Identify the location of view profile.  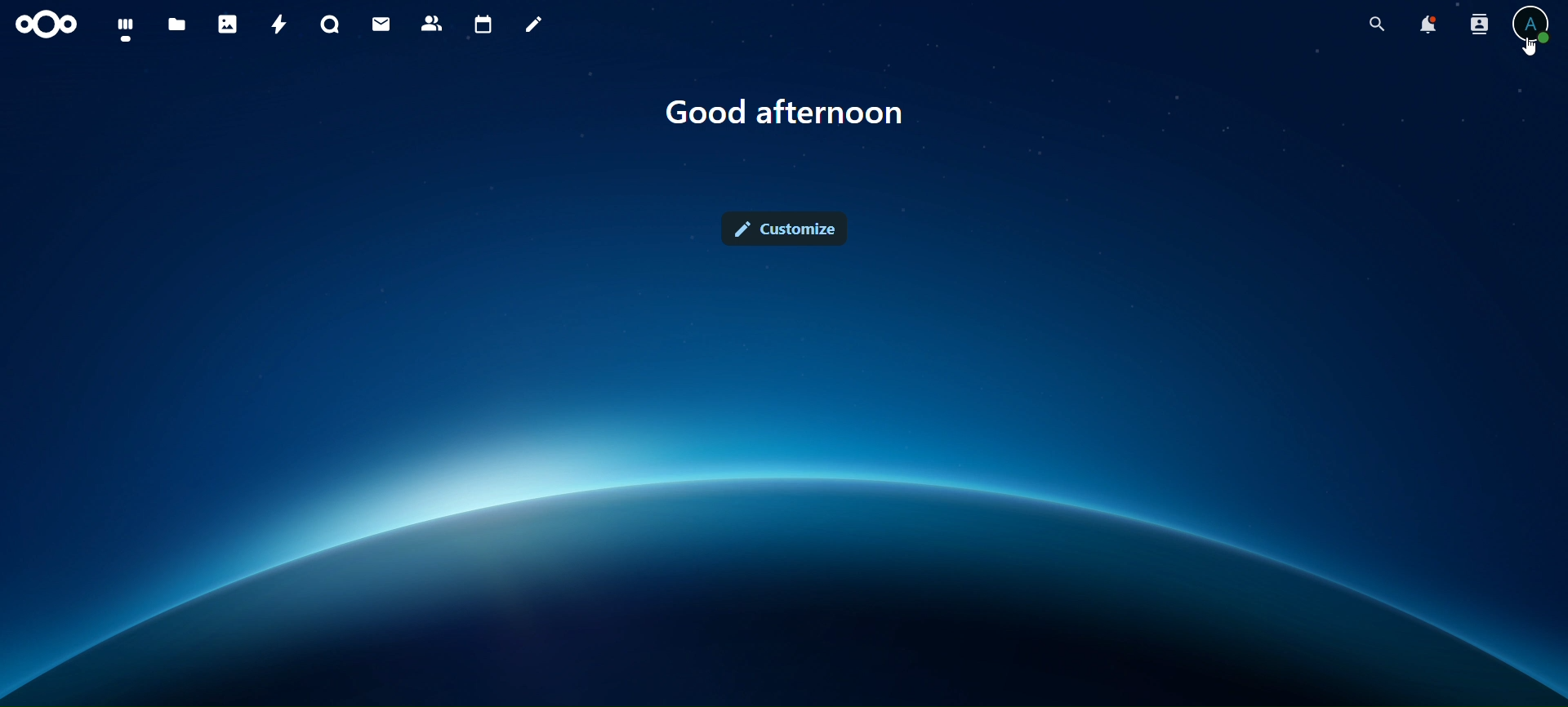
(1535, 24).